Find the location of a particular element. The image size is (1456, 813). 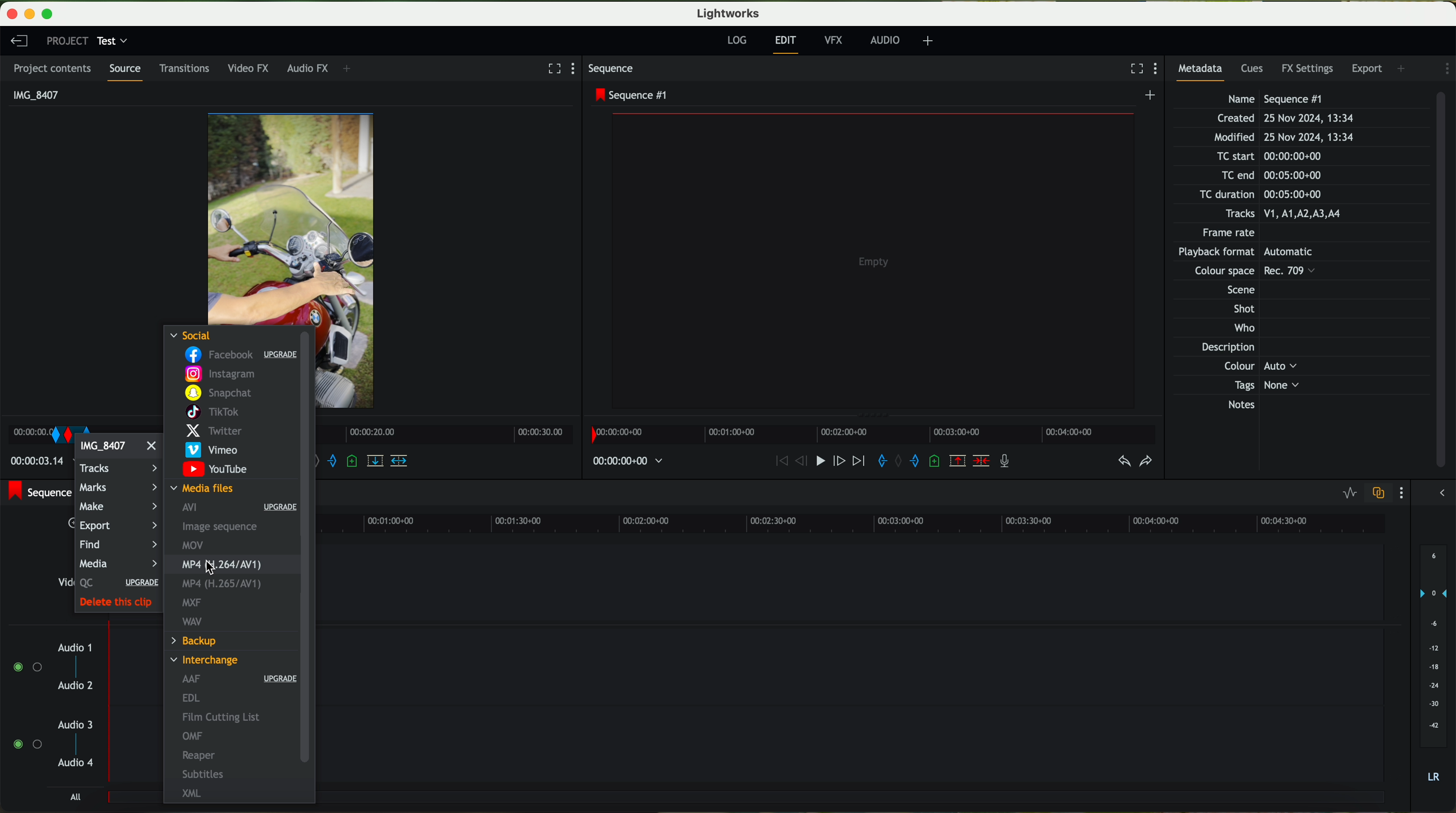

WAV is located at coordinates (192, 622).